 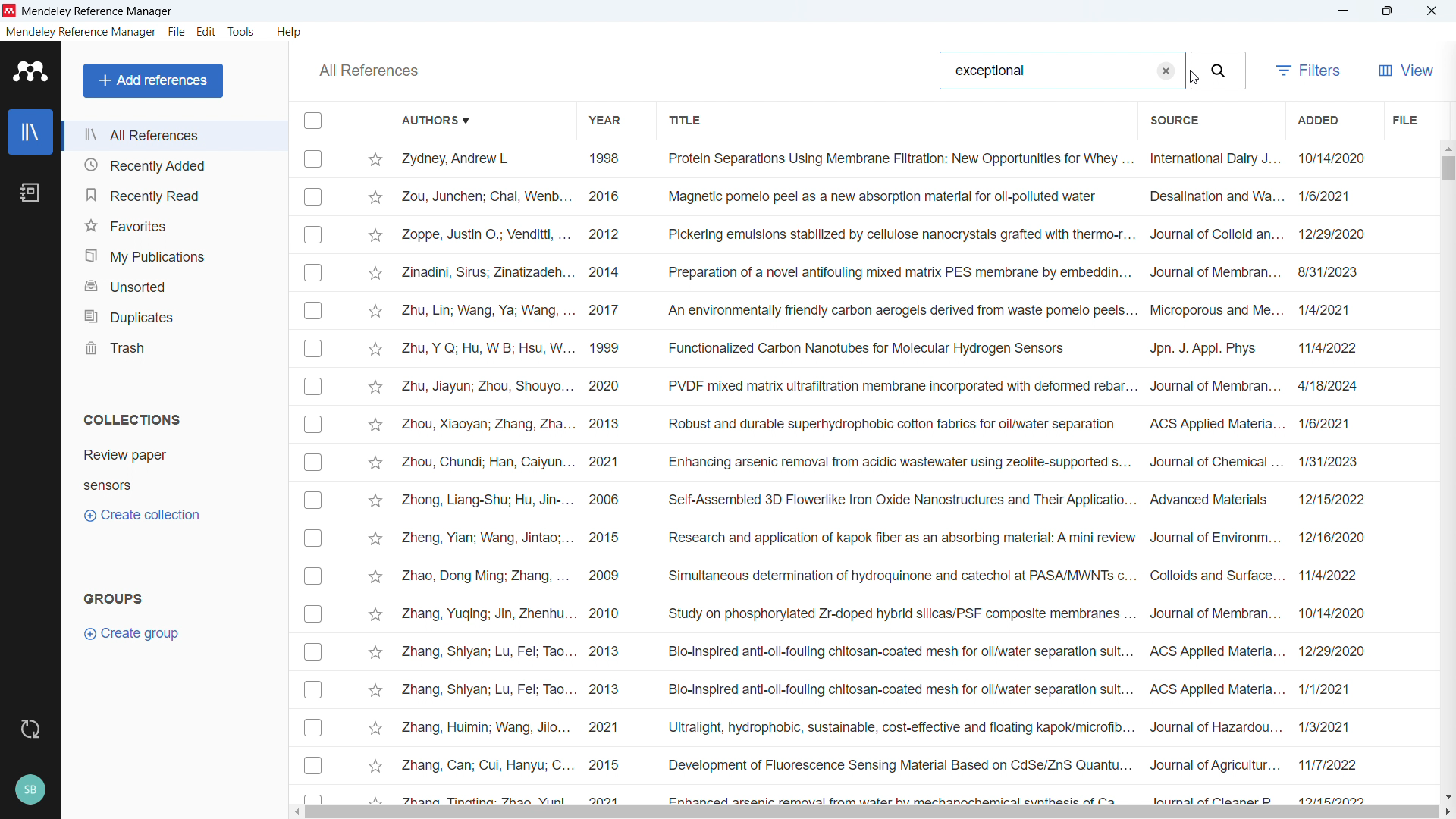 What do you see at coordinates (1447, 797) in the screenshot?
I see `Scroll down ` at bounding box center [1447, 797].